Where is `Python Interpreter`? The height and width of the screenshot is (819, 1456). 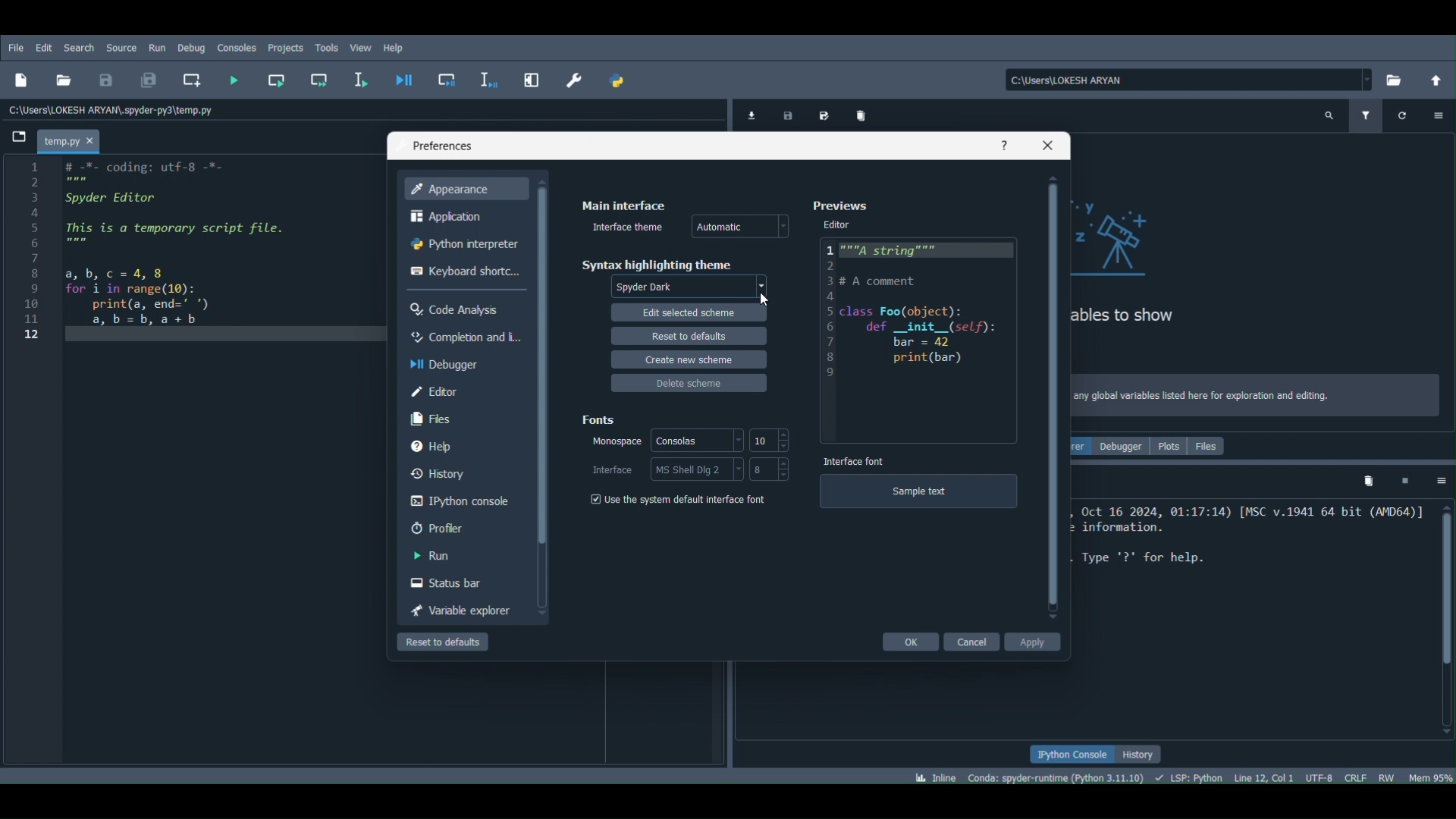 Python Interpreter is located at coordinates (463, 242).